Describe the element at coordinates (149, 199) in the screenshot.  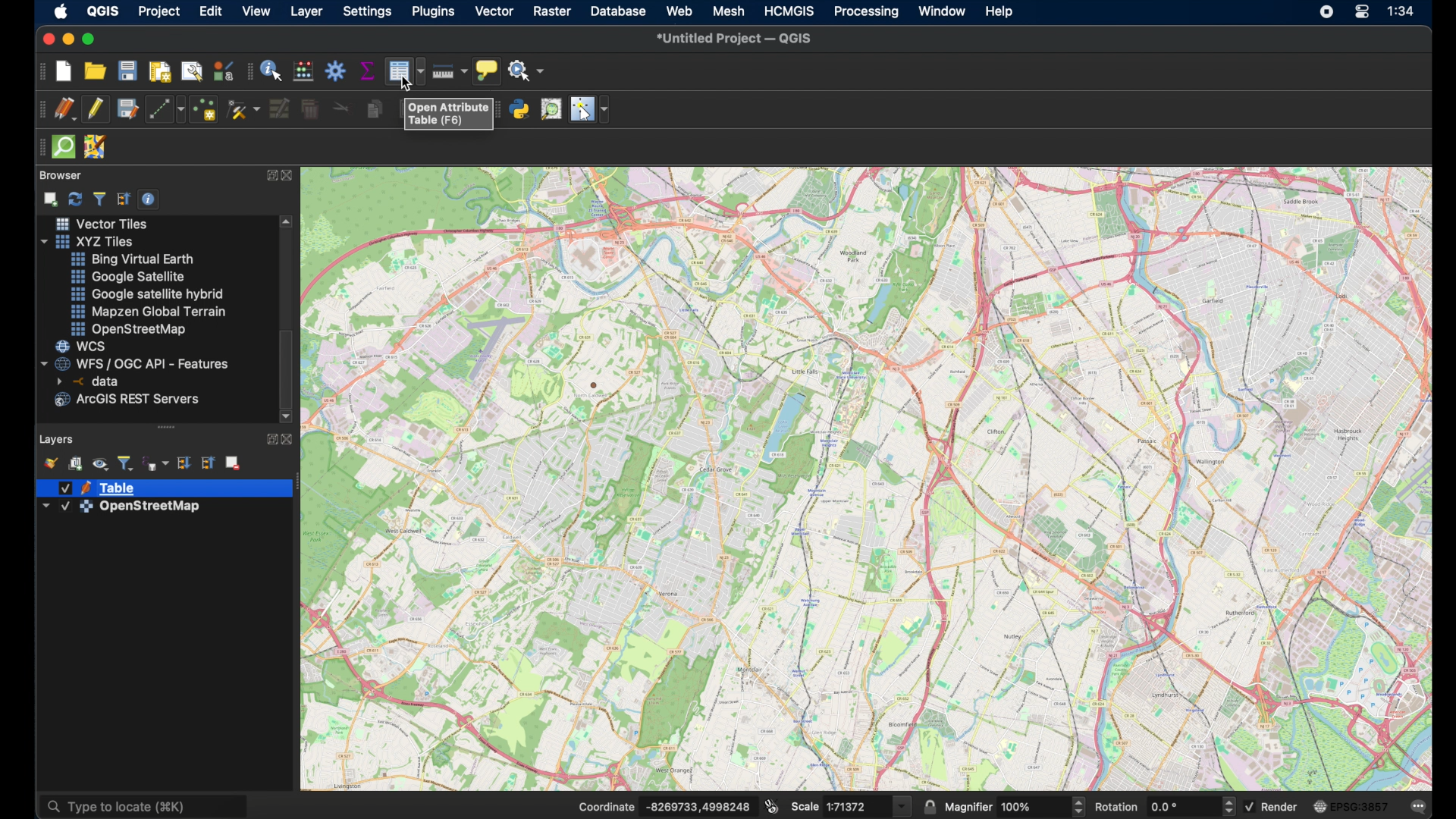
I see `enable/disable proeprties widget` at that location.